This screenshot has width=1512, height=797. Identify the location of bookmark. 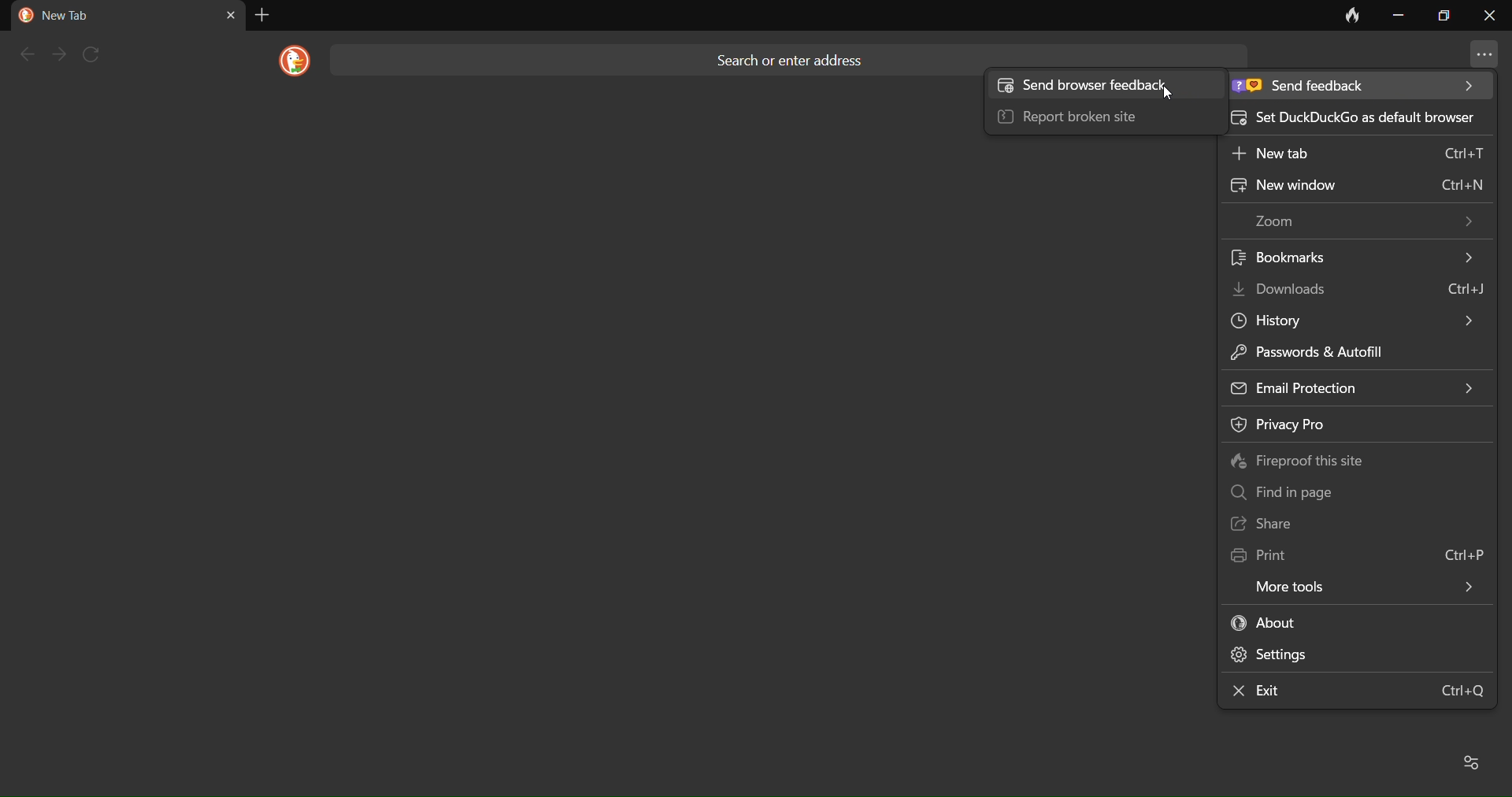
(1354, 258).